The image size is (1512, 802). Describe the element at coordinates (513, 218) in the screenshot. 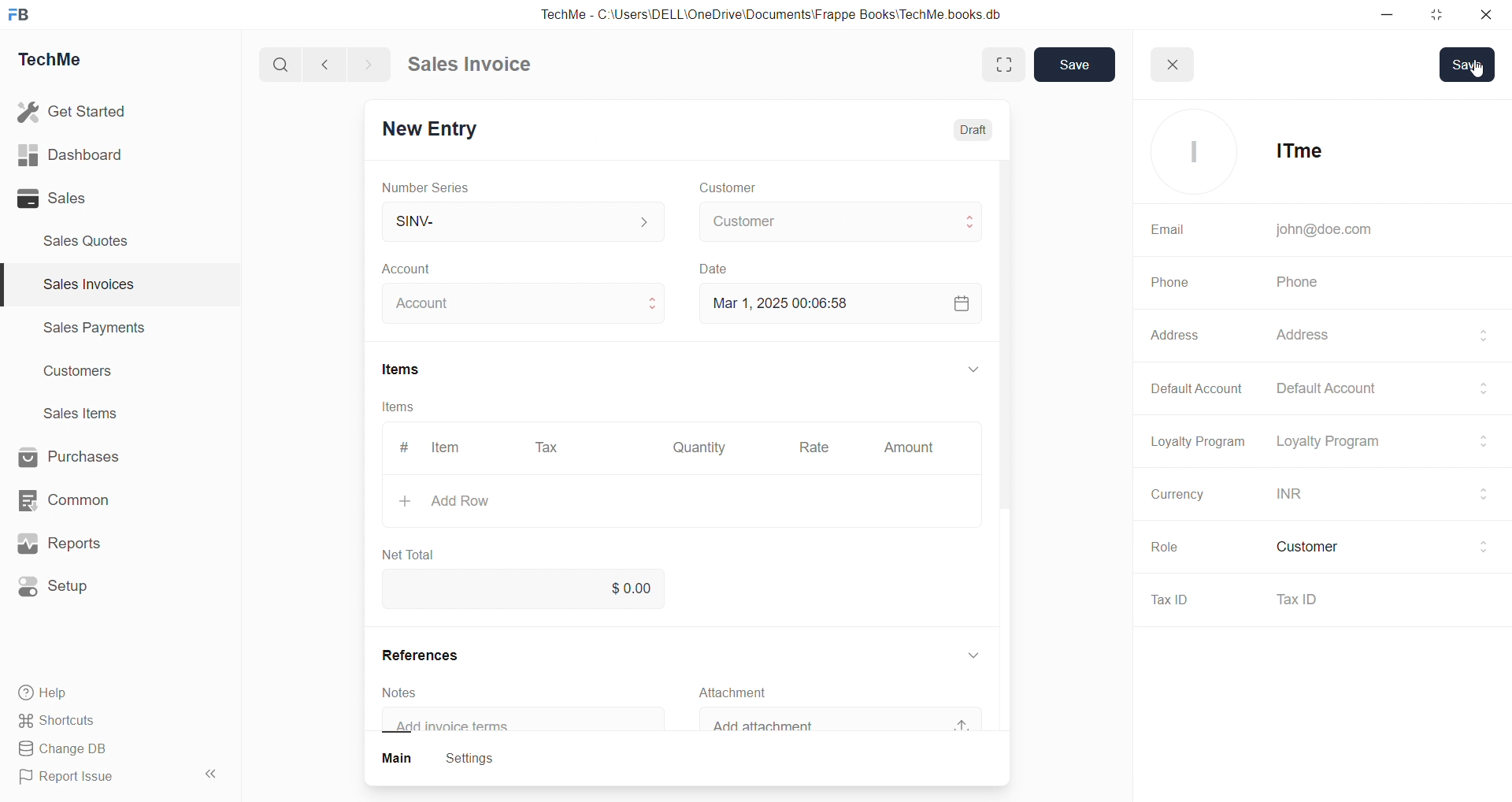

I see `SINV-` at that location.